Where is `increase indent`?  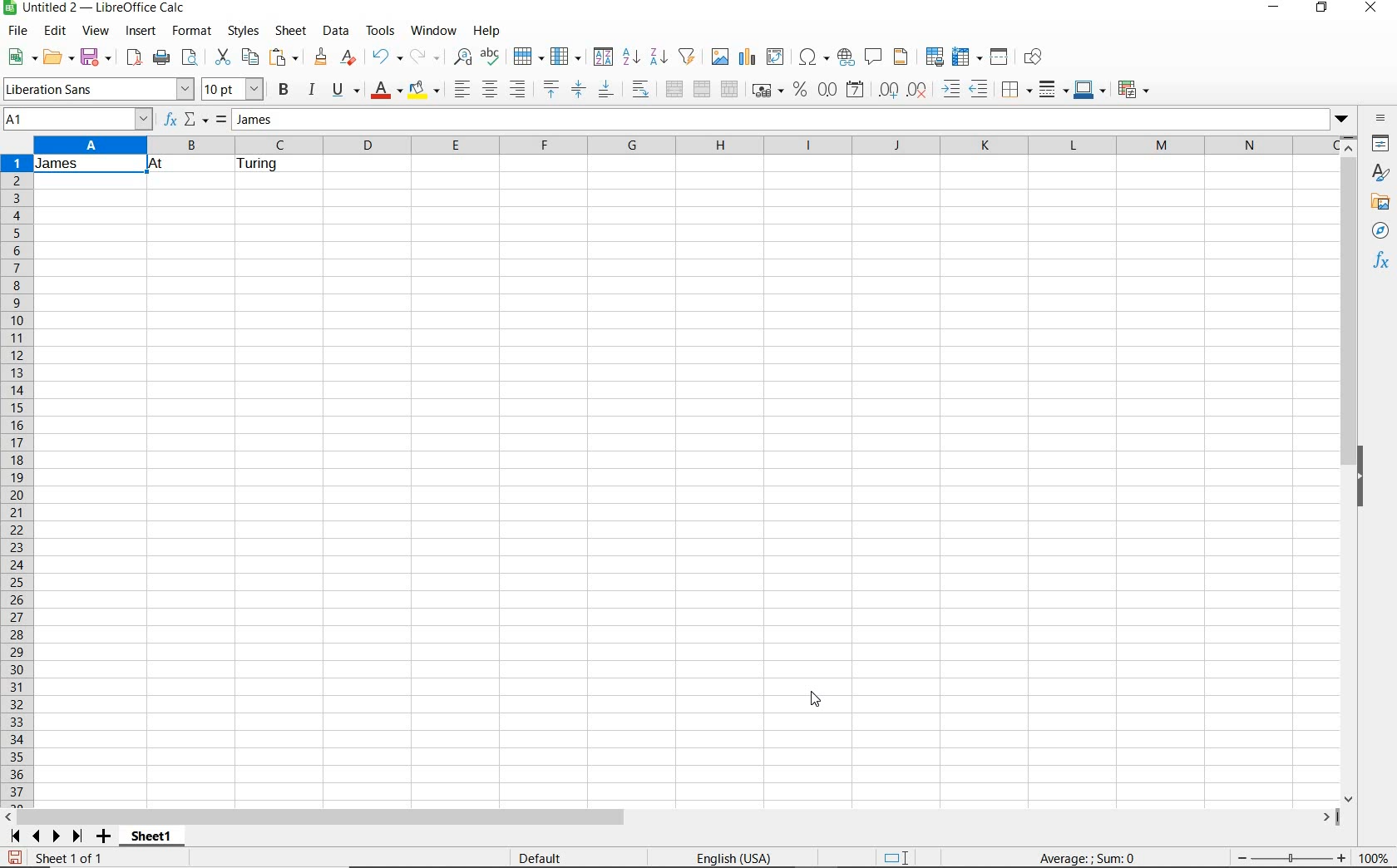 increase indent is located at coordinates (953, 89).